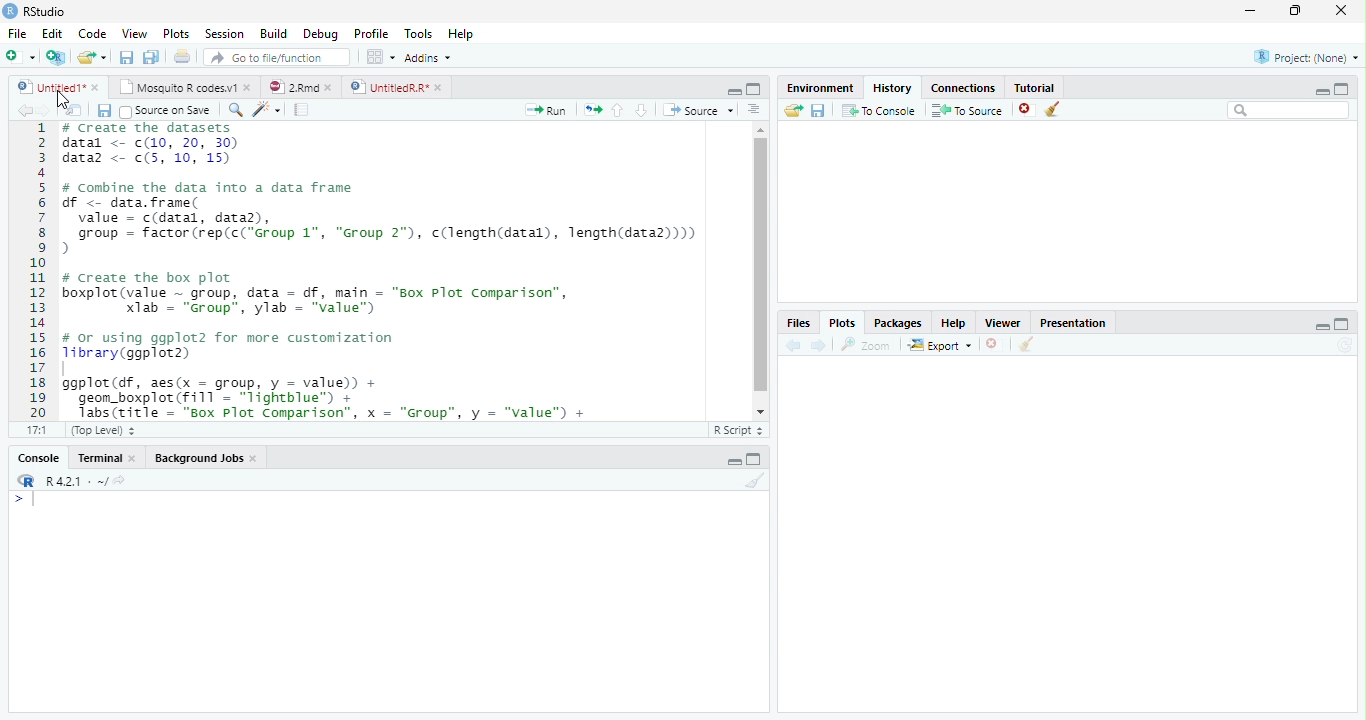 The image size is (1366, 720). Describe the element at coordinates (1342, 89) in the screenshot. I see `Maximize` at that location.